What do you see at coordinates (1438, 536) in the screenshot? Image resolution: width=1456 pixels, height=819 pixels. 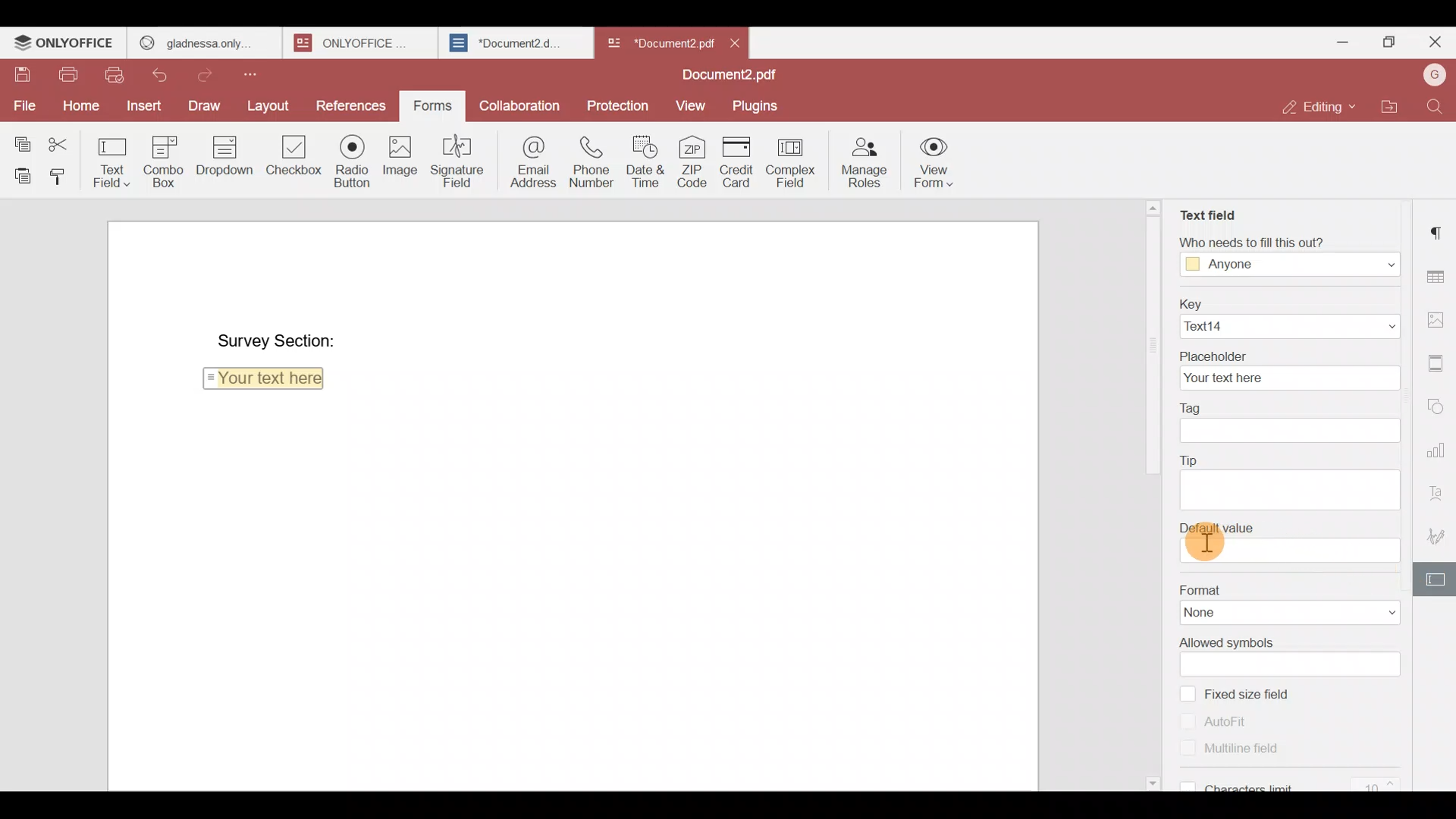 I see `Signature settings` at bounding box center [1438, 536].